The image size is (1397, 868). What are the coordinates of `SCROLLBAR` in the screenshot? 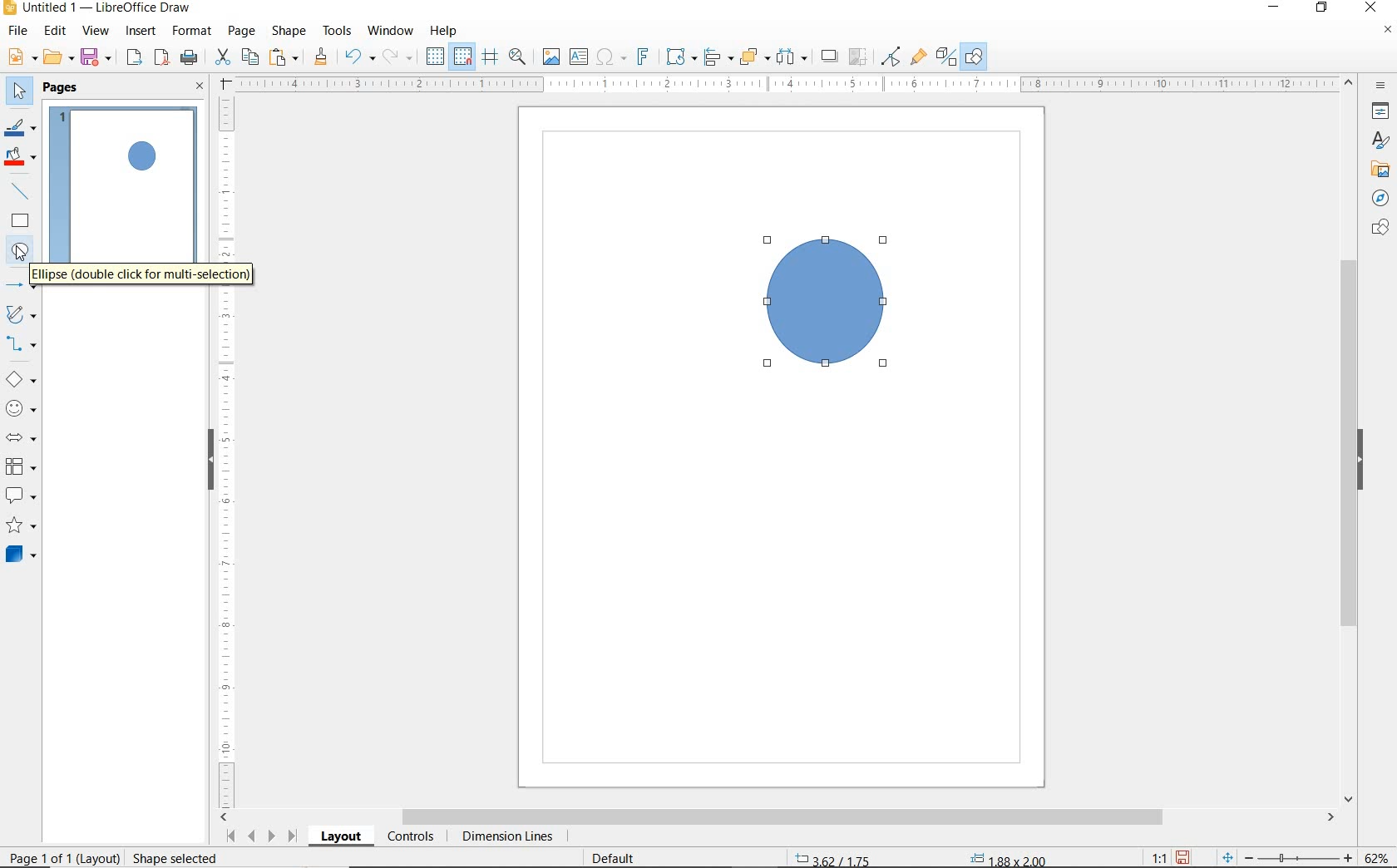 It's located at (1349, 441).